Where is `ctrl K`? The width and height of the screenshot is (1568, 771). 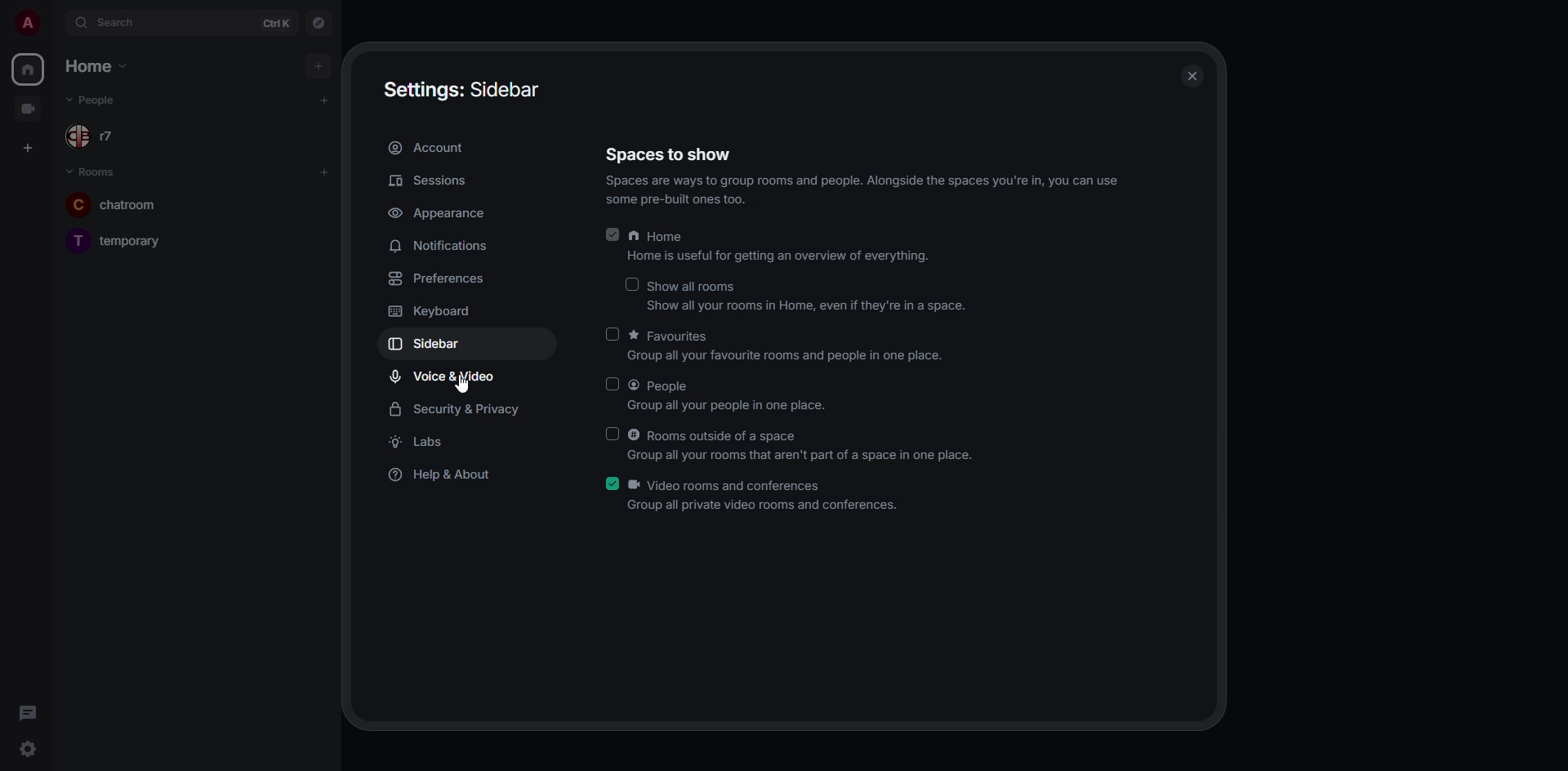 ctrl K is located at coordinates (276, 23).